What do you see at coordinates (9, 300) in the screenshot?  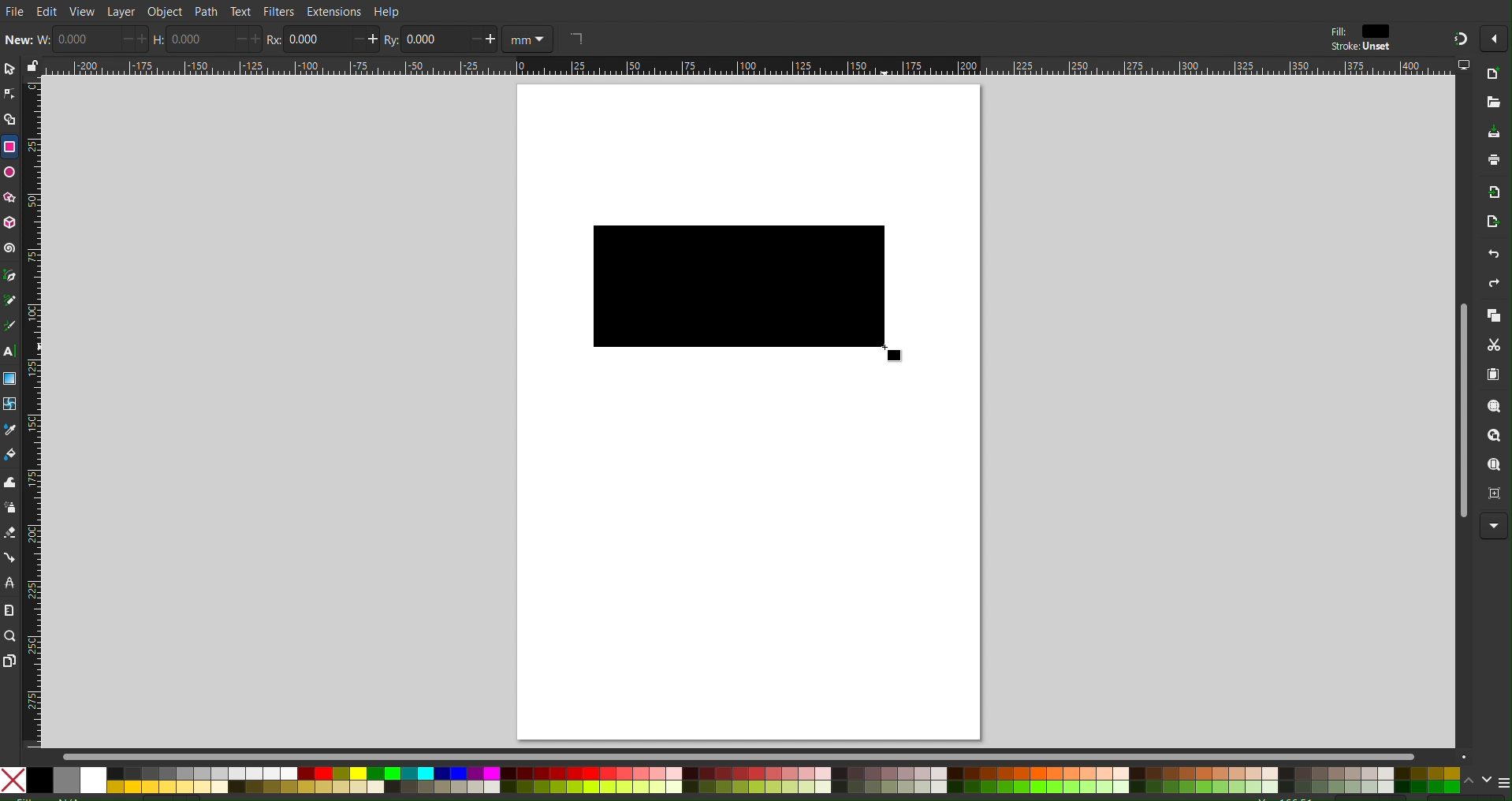 I see `Pencil Tool` at bounding box center [9, 300].